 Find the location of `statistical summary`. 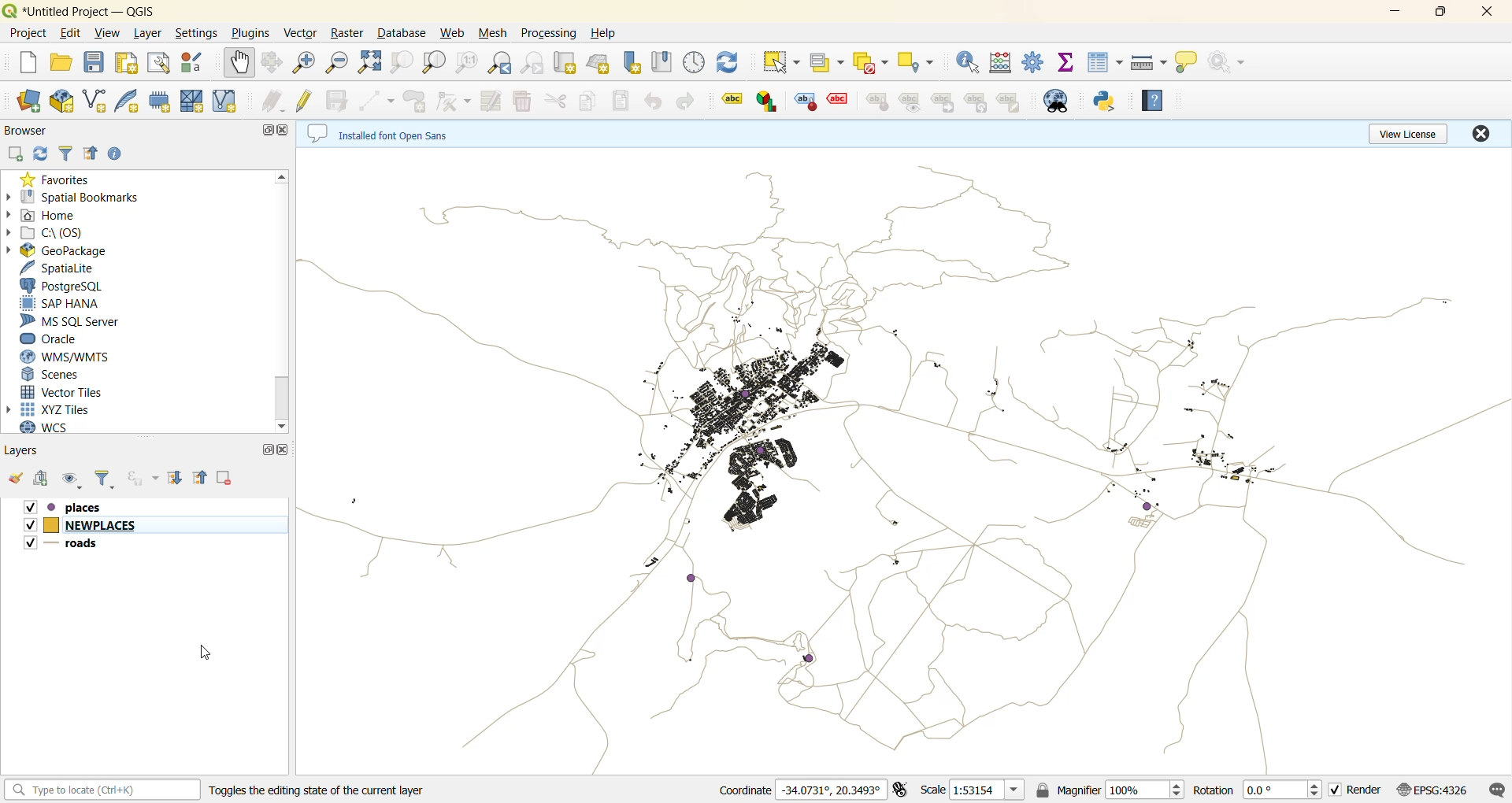

statistical summary is located at coordinates (1067, 65).